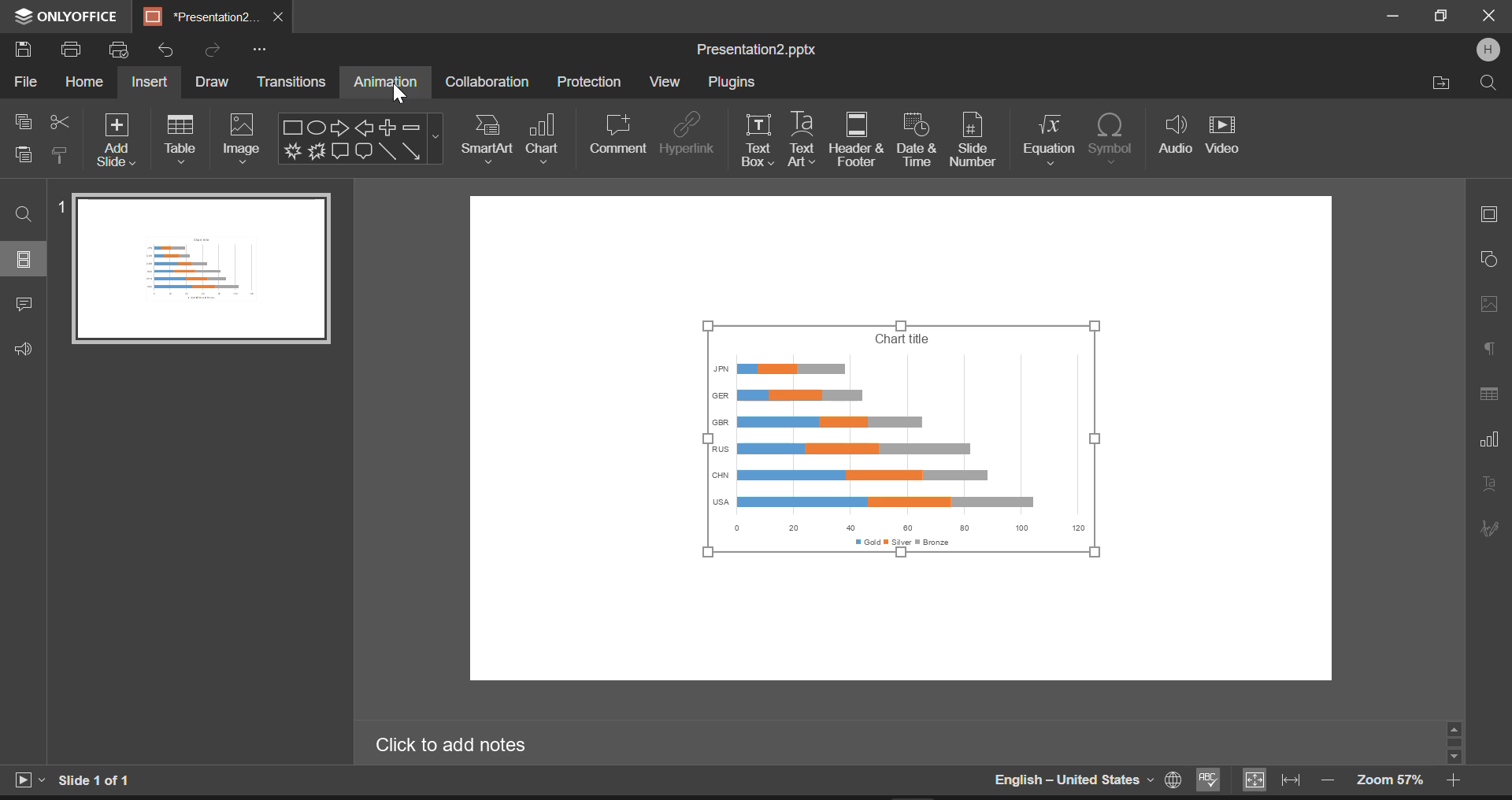 The height and width of the screenshot is (800, 1512). I want to click on Shape Settings, so click(1488, 257).